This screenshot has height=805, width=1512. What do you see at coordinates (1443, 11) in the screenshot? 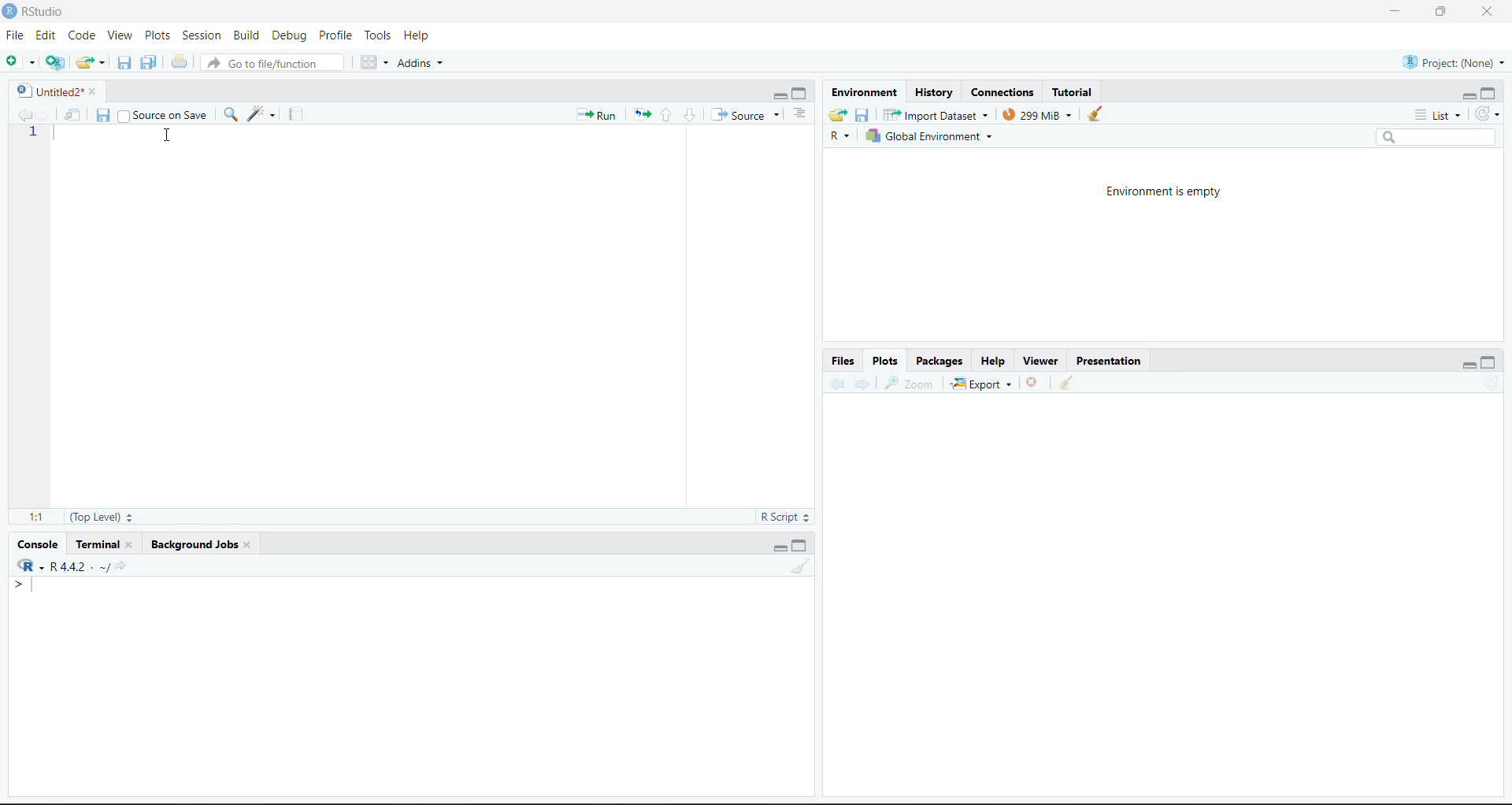
I see `maximize` at bounding box center [1443, 11].